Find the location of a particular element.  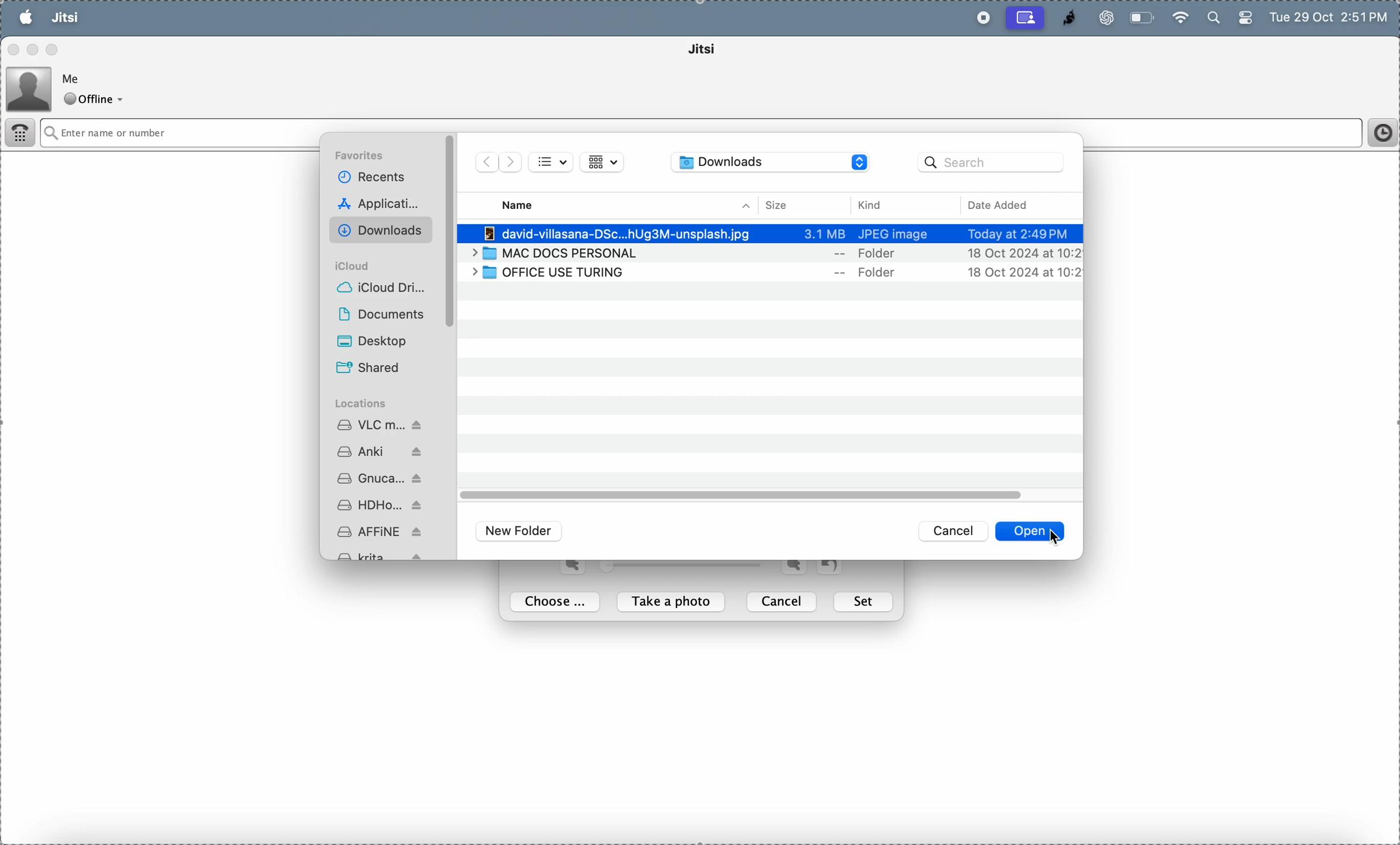

jitsi is located at coordinates (1064, 18).